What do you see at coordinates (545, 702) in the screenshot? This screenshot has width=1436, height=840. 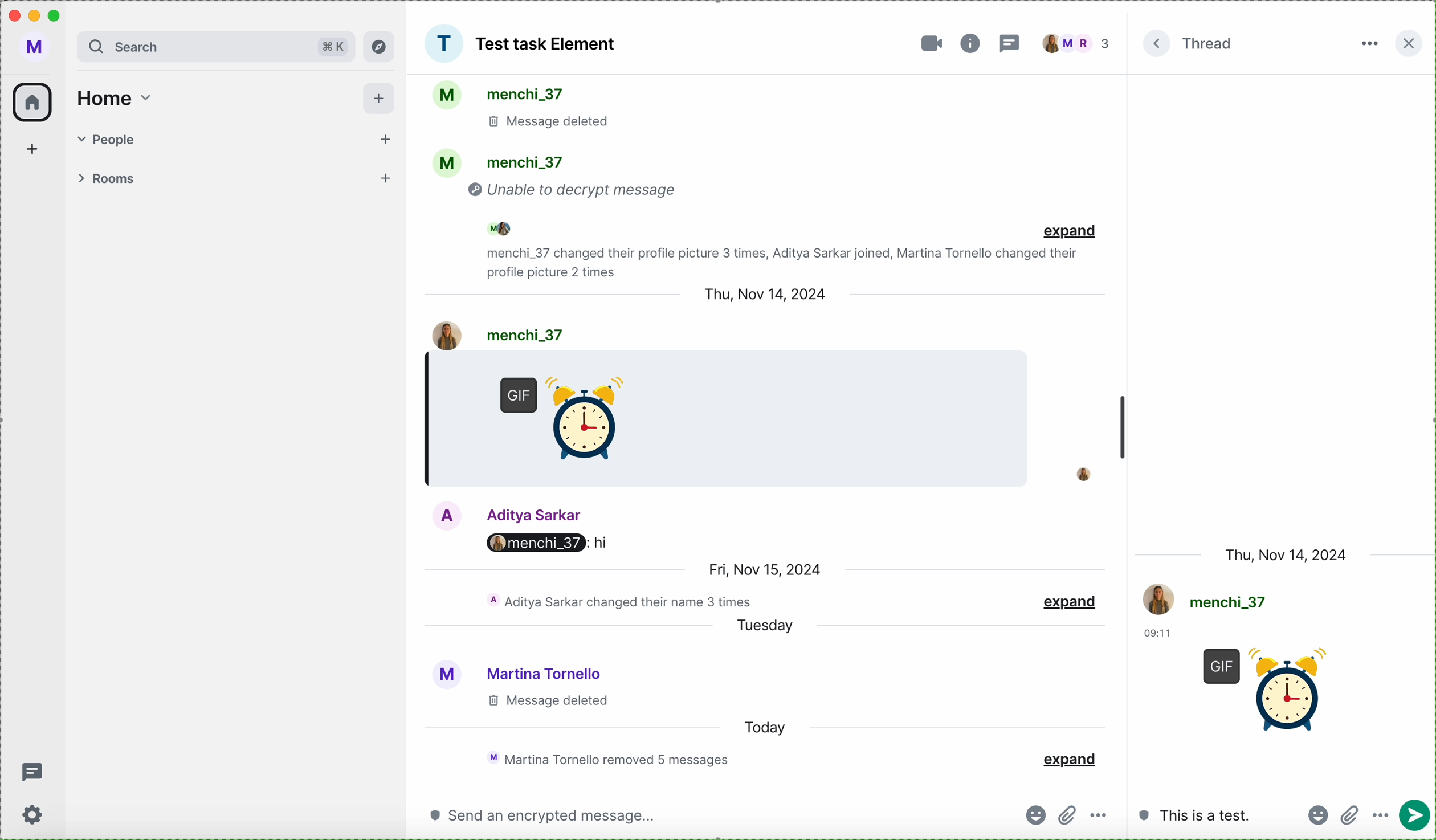 I see `message deleted` at bounding box center [545, 702].